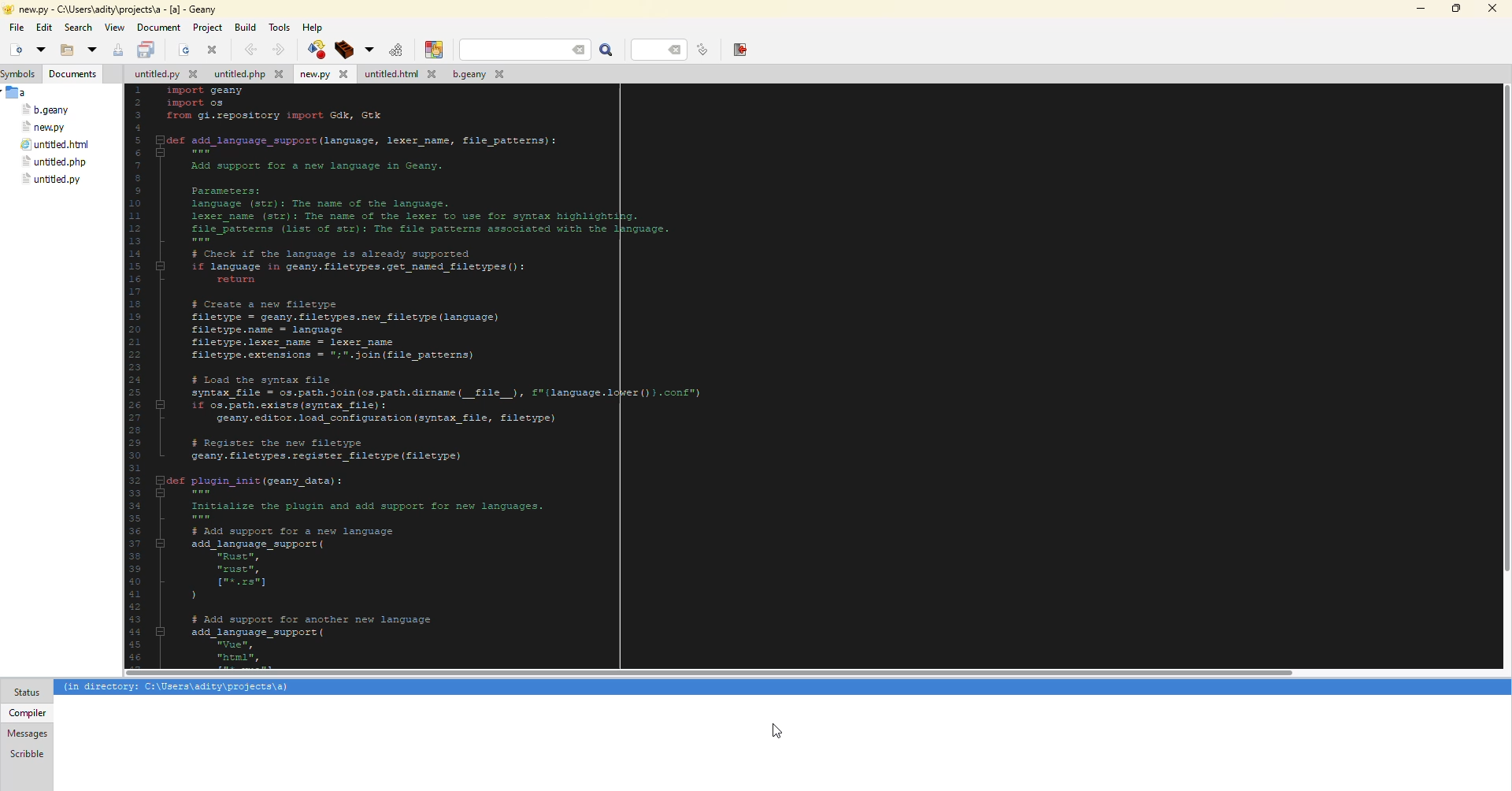  Describe the element at coordinates (213, 50) in the screenshot. I see `close` at that location.